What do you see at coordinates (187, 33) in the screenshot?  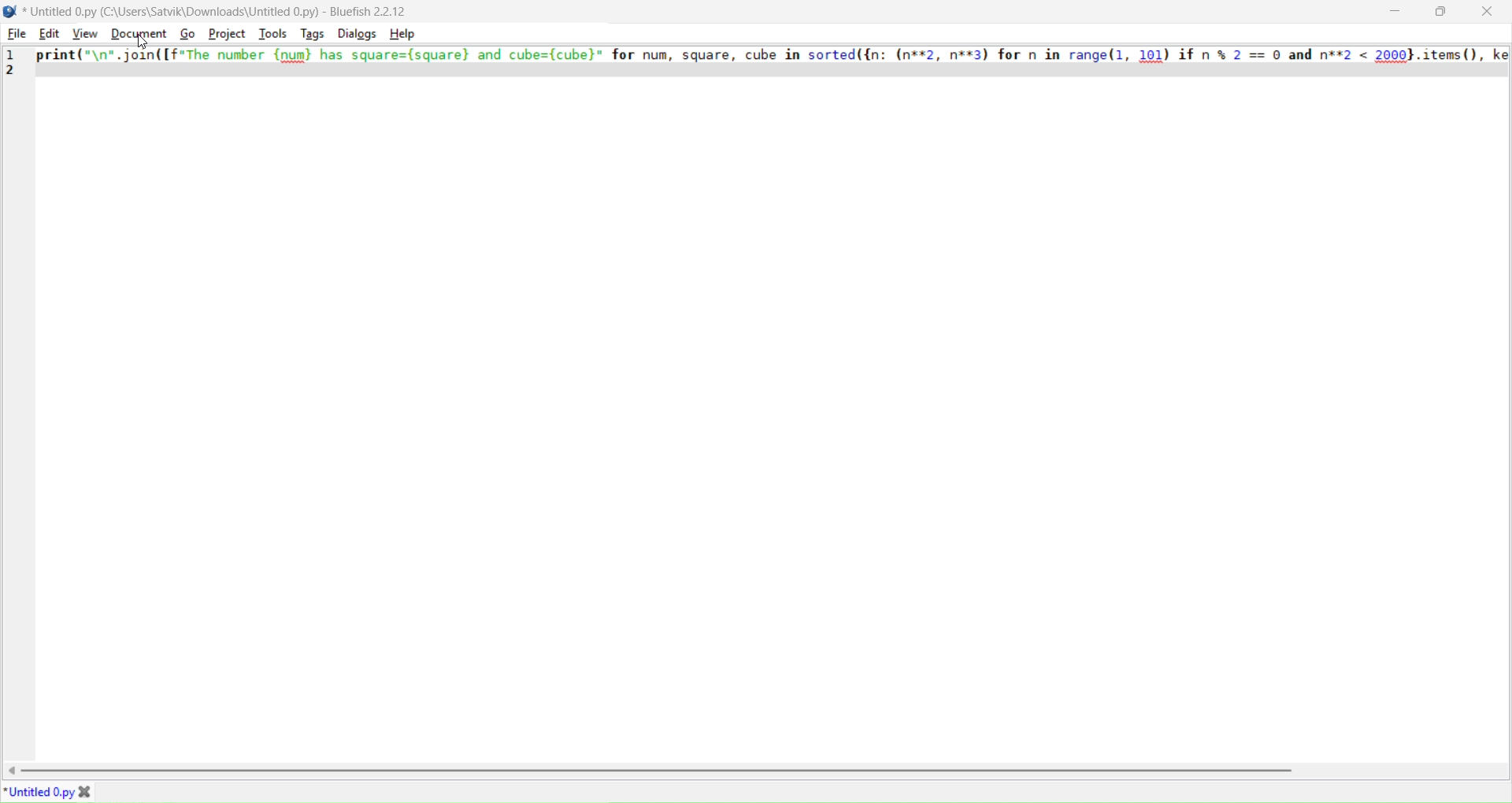 I see `go` at bounding box center [187, 33].